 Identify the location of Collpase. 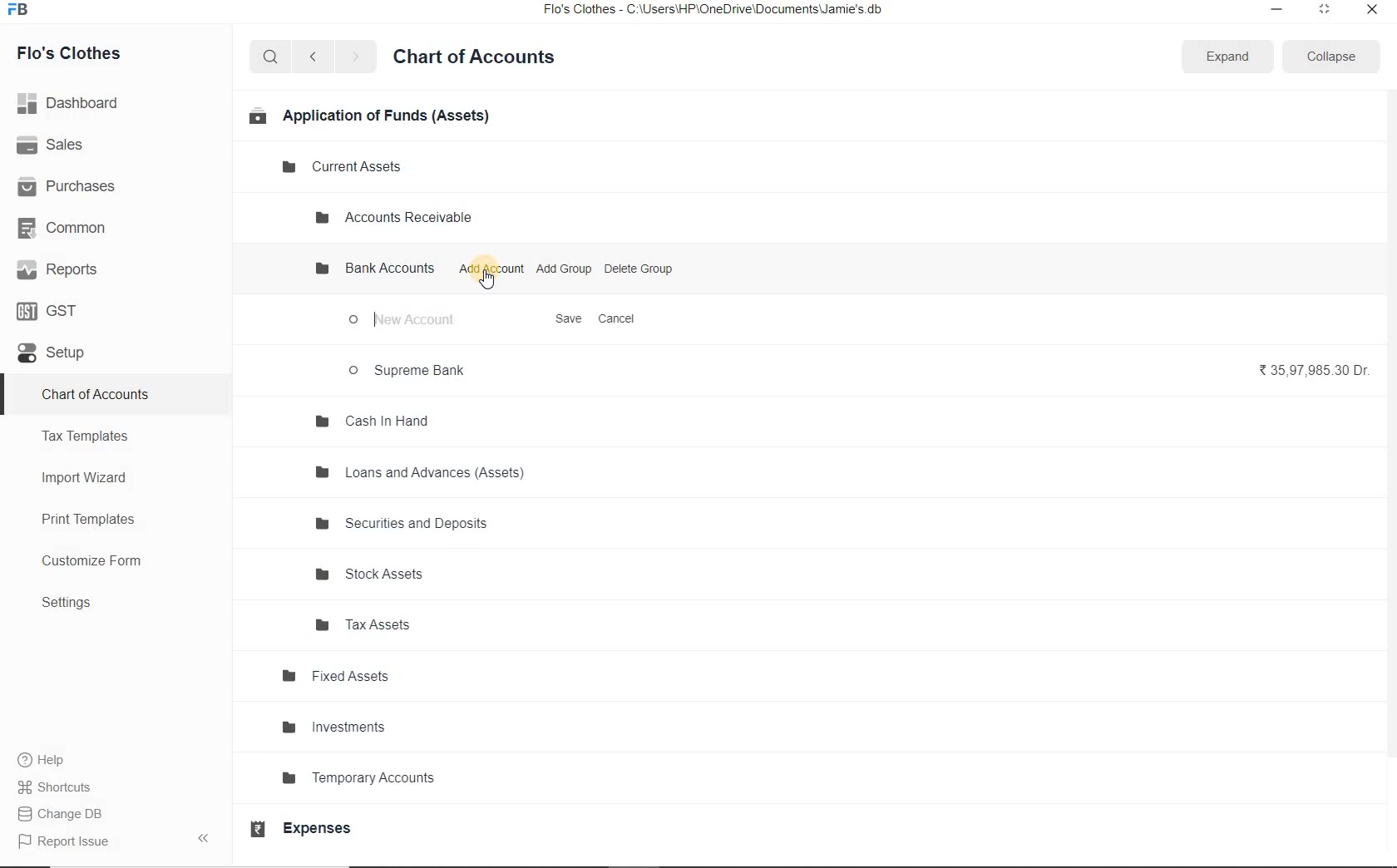
(203, 837).